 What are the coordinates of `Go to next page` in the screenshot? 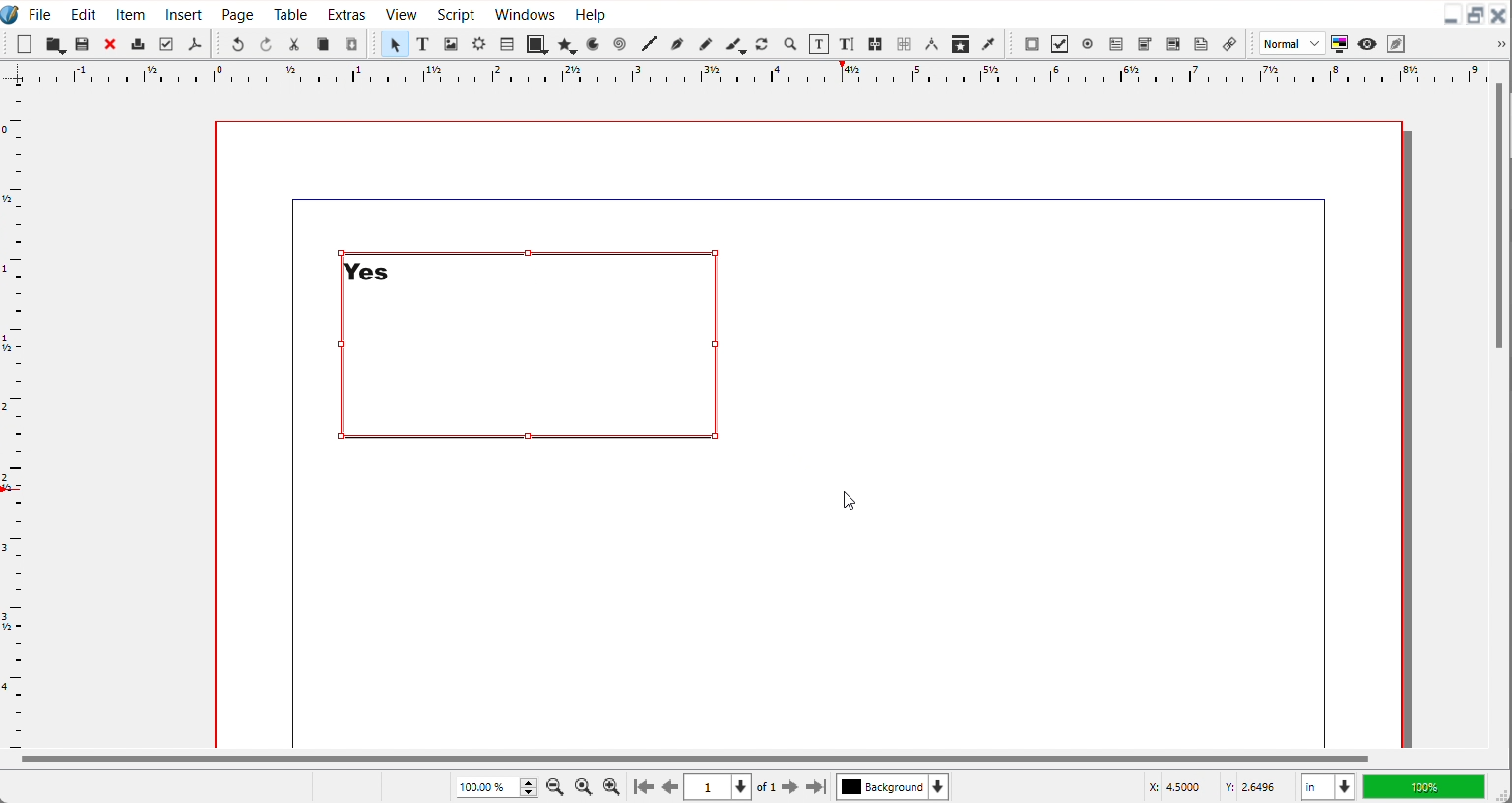 It's located at (779, 787).